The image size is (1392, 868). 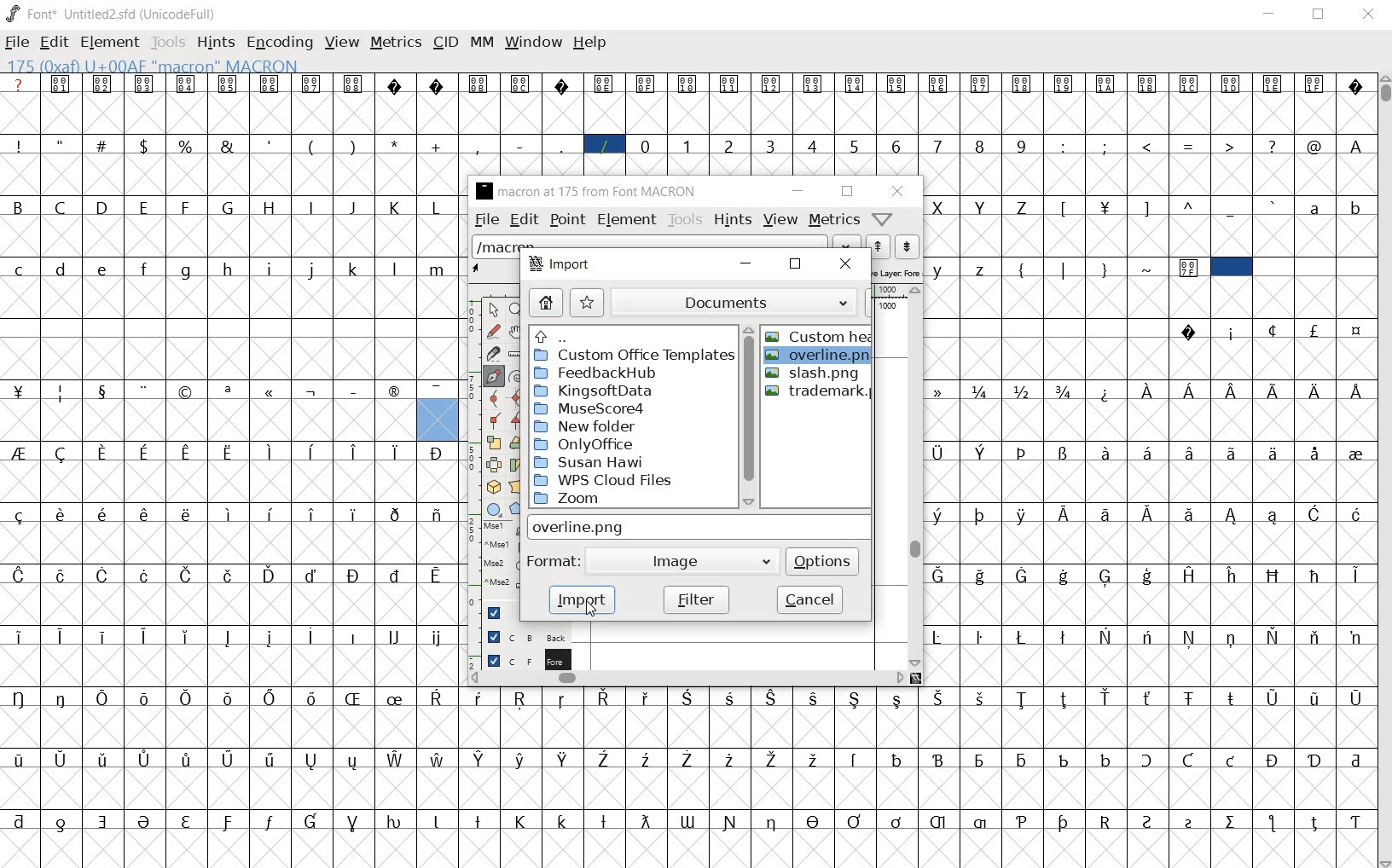 What do you see at coordinates (800, 192) in the screenshot?
I see `minimize` at bounding box center [800, 192].